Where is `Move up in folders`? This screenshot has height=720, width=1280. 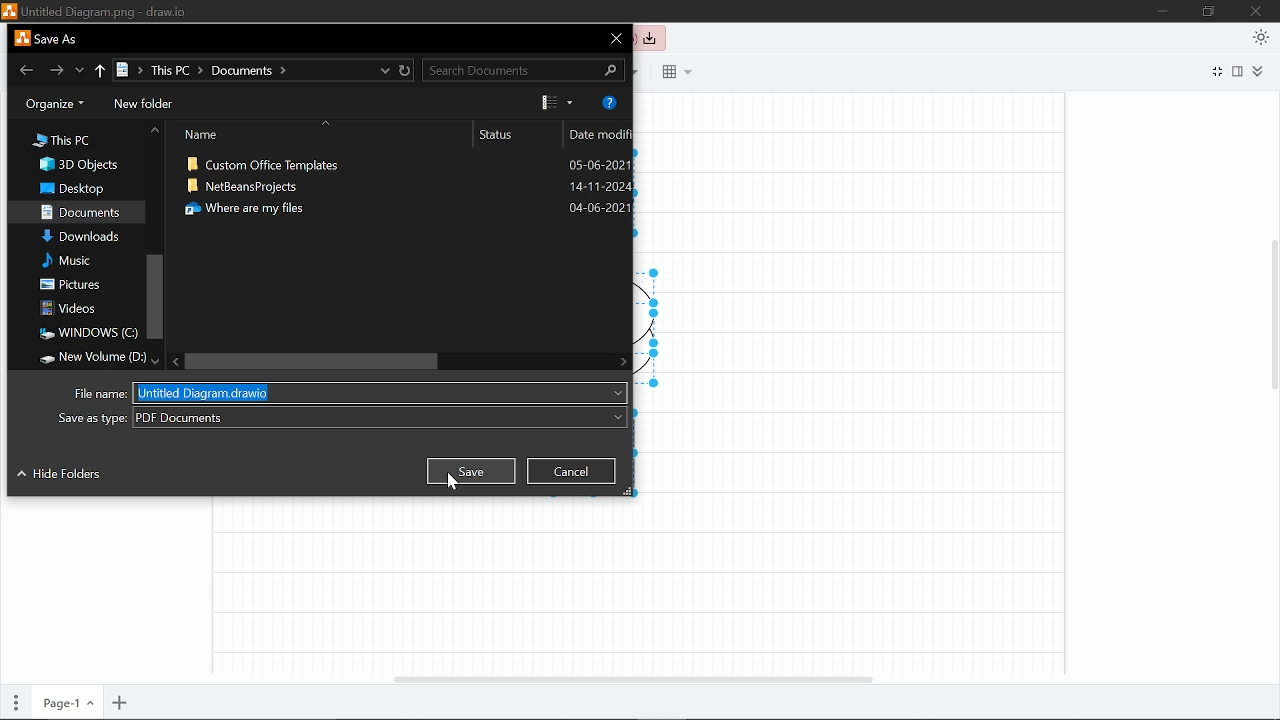
Move up in folders is located at coordinates (153, 131).